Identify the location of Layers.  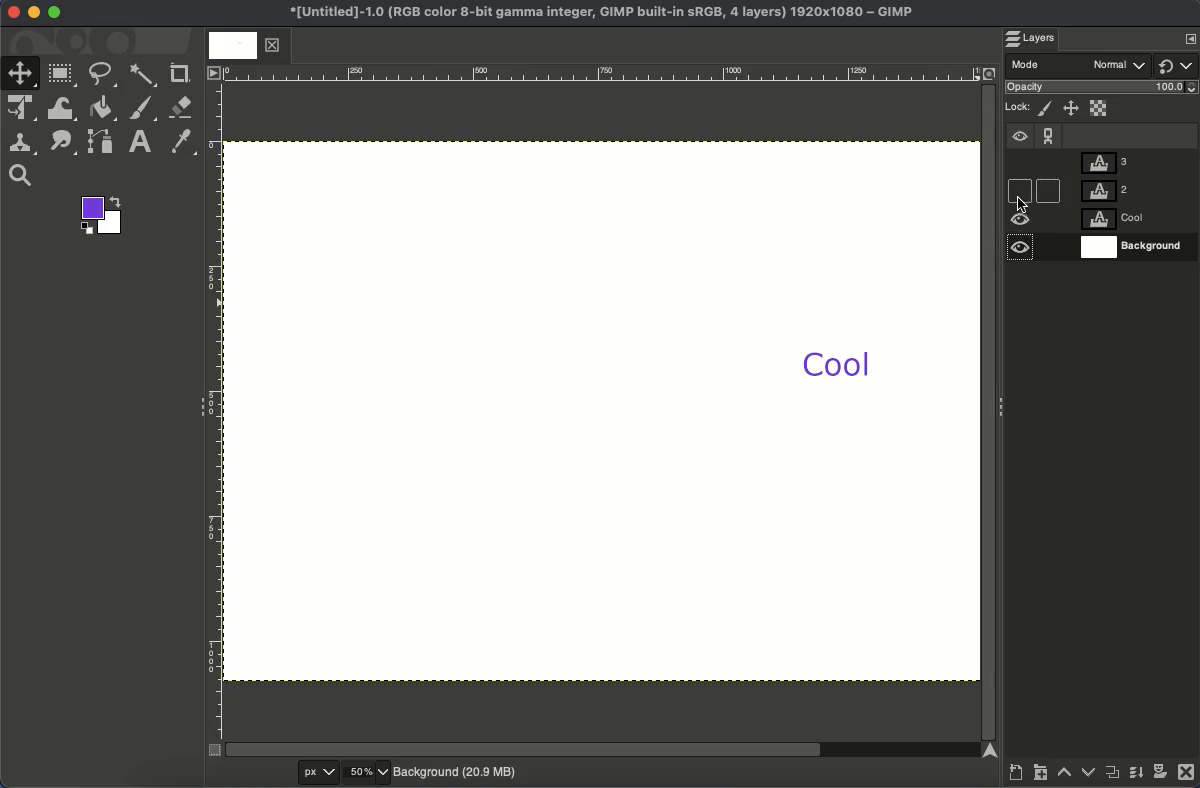
(1039, 39).